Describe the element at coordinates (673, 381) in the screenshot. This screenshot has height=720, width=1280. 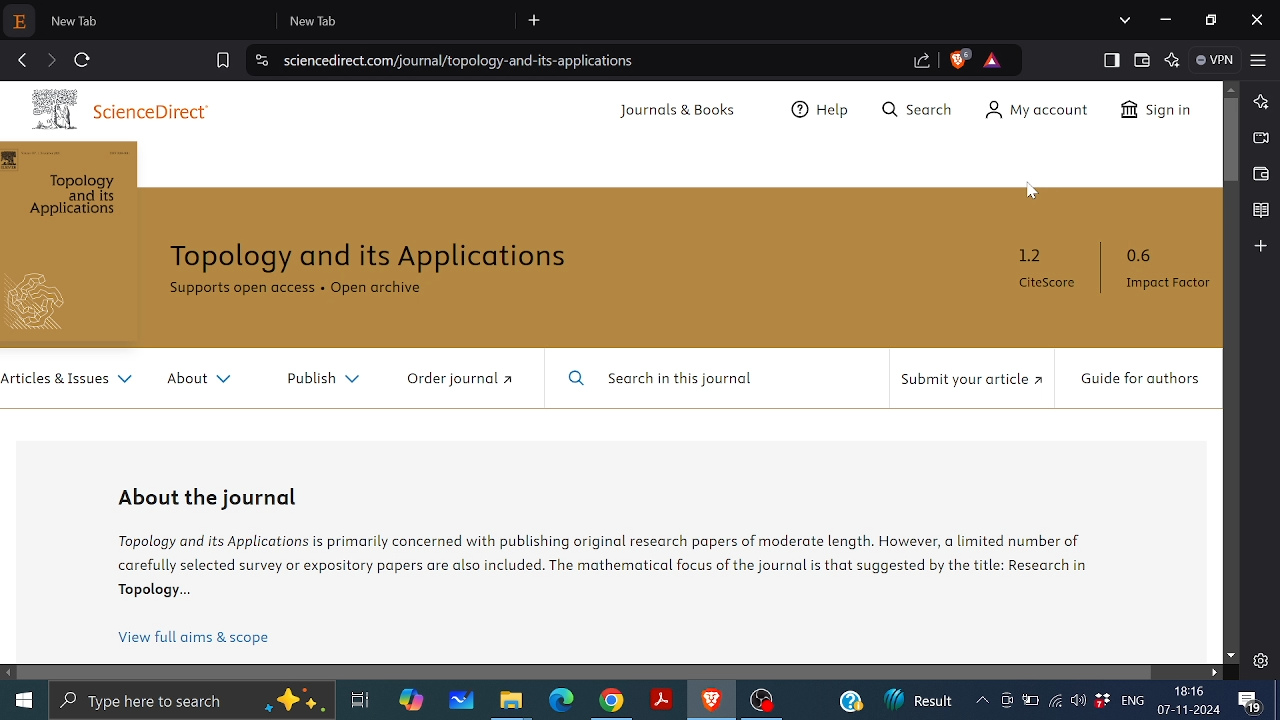
I see `Search in this journal` at that location.